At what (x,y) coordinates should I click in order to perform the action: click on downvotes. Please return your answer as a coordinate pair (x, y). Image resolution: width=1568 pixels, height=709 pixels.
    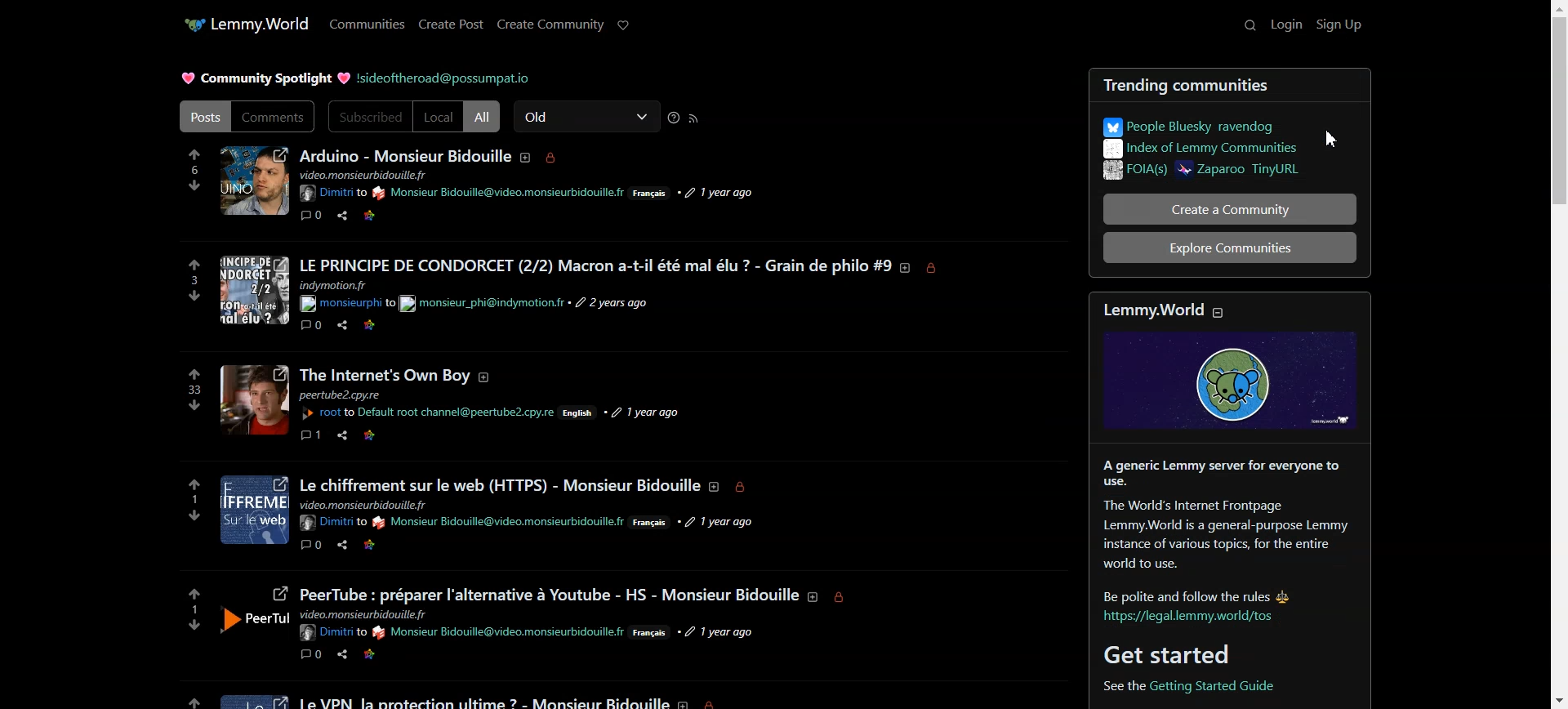
    Looking at the image, I should click on (188, 299).